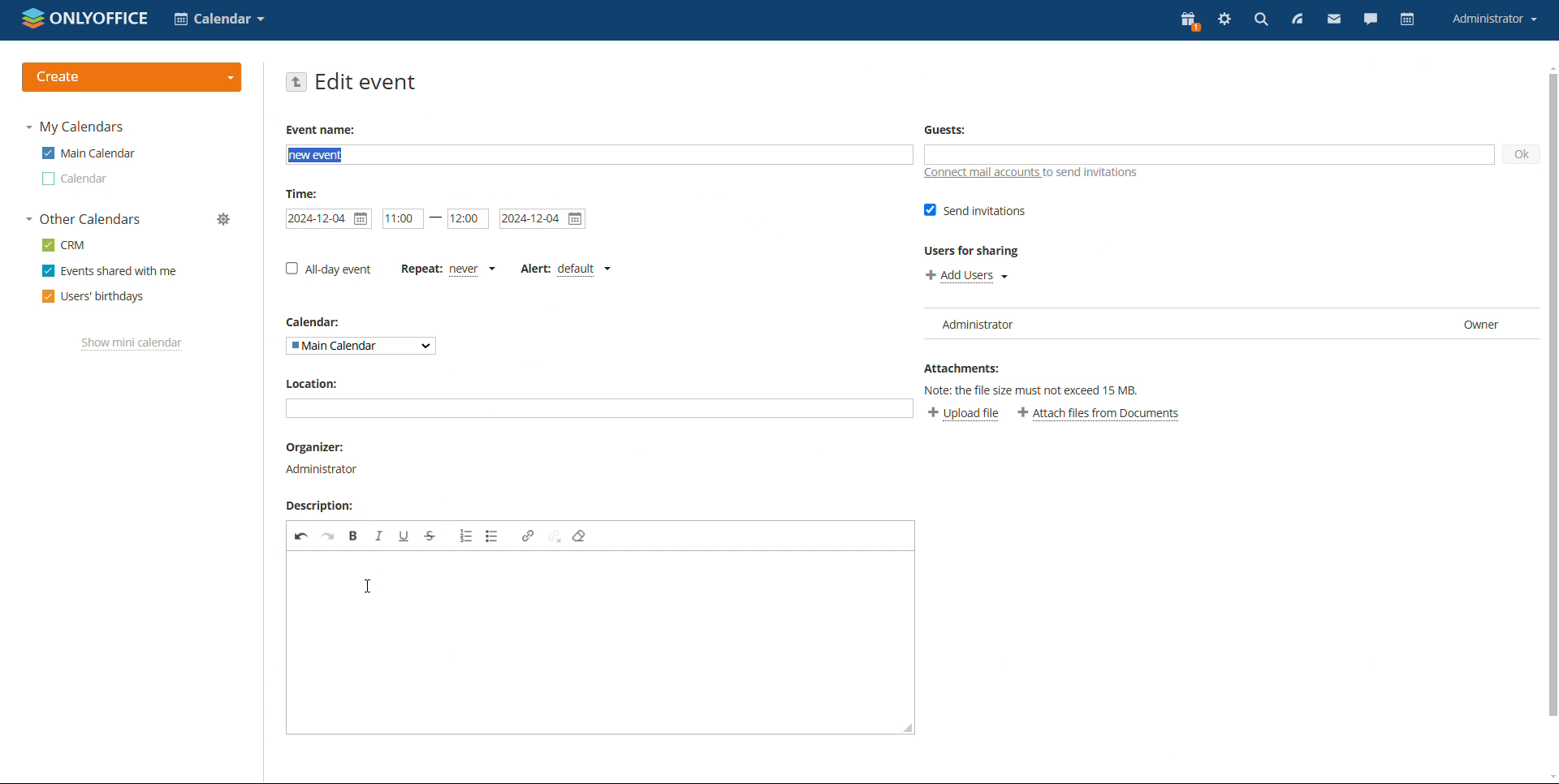 Image resolution: width=1559 pixels, height=784 pixels. Describe the element at coordinates (369, 587) in the screenshot. I see `cursor` at that location.